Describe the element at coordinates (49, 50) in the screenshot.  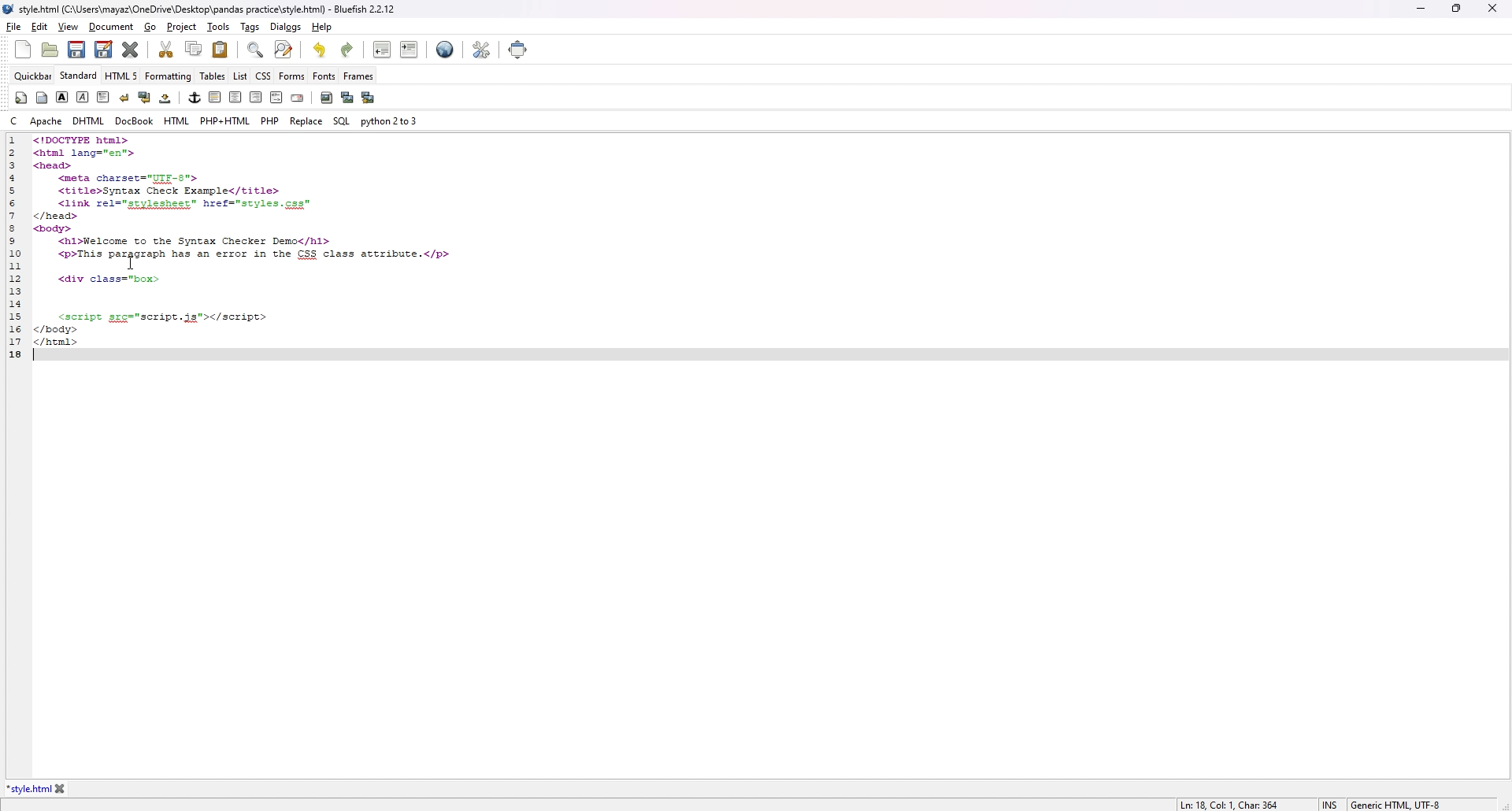
I see `open` at that location.